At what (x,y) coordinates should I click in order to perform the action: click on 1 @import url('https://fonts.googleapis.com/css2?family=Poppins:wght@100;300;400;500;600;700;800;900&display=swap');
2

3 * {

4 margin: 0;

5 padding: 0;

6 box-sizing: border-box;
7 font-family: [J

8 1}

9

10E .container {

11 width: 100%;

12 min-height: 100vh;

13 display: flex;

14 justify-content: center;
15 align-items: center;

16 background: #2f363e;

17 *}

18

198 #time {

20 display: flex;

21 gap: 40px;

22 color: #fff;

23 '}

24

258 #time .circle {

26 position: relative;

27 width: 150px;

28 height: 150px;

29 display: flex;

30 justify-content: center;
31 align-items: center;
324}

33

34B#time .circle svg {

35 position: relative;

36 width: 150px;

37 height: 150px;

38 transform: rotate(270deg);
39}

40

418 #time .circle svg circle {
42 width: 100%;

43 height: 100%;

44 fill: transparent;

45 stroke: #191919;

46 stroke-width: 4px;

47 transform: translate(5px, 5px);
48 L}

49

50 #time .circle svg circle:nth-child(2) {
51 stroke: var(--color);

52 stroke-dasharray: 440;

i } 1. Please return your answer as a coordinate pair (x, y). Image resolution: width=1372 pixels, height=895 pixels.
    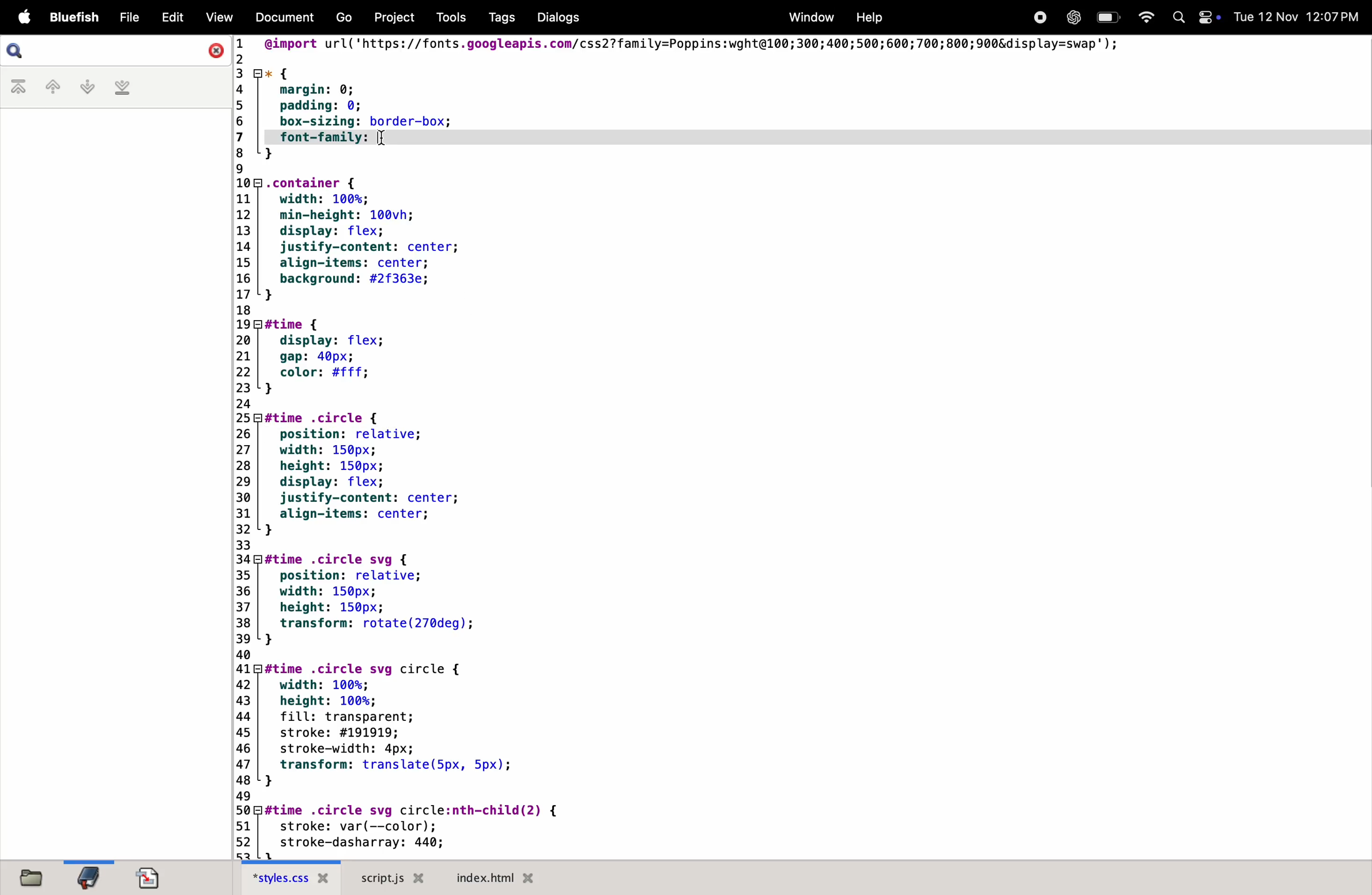
    Looking at the image, I should click on (739, 447).